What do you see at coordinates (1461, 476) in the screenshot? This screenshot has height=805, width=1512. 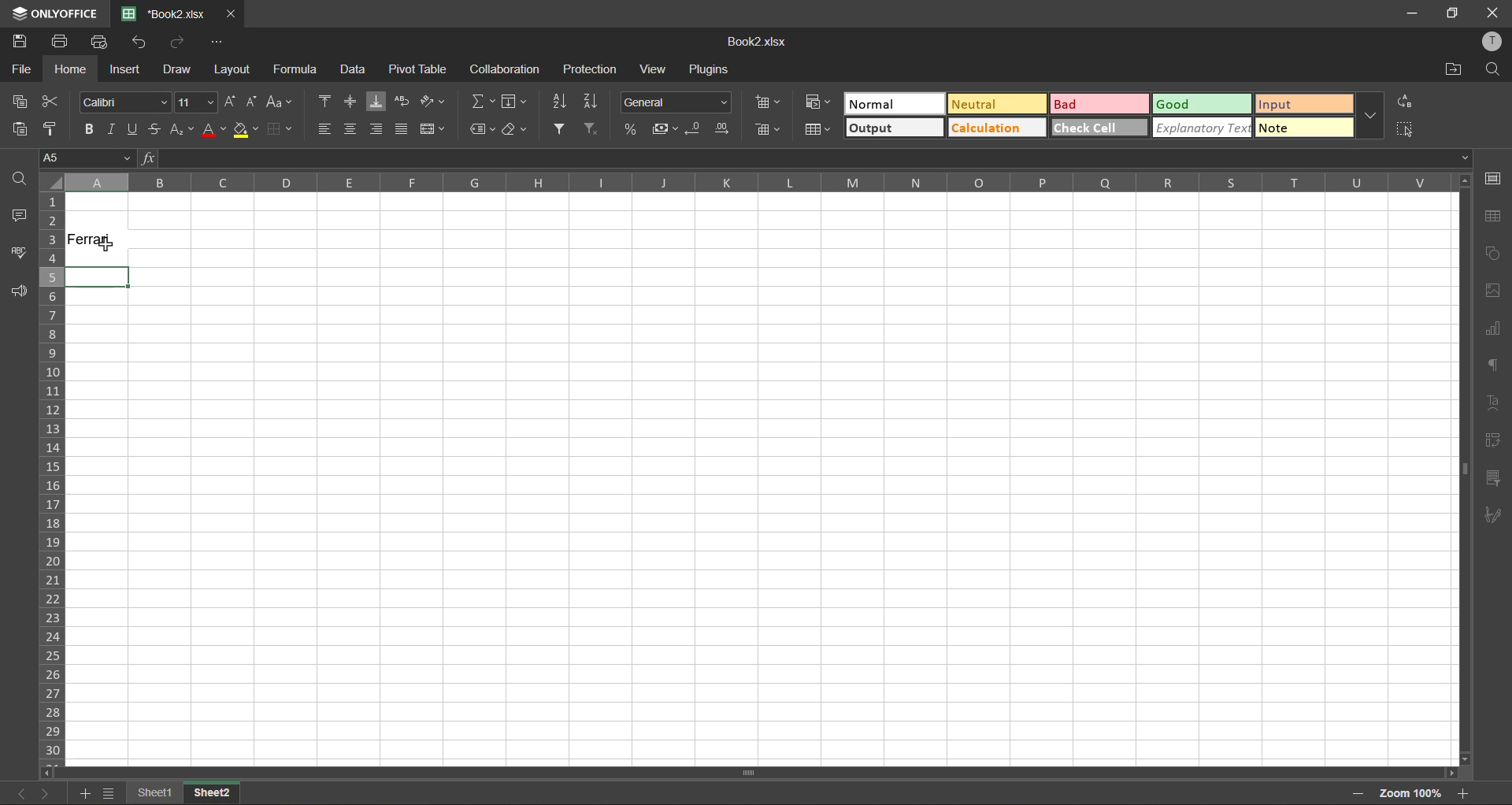 I see `Scrollbar` at bounding box center [1461, 476].